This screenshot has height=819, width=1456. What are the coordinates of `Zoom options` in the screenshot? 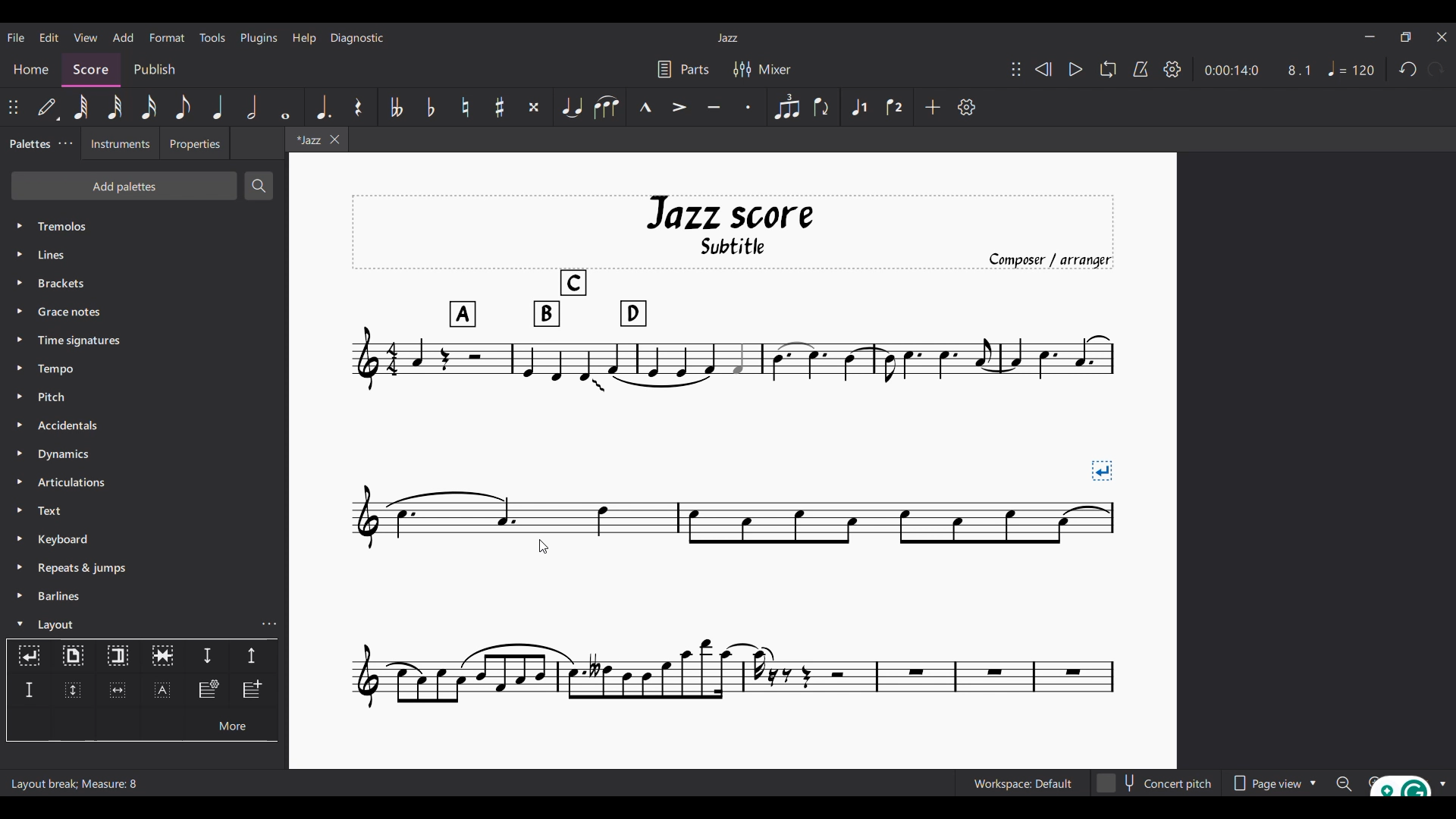 It's located at (1441, 784).